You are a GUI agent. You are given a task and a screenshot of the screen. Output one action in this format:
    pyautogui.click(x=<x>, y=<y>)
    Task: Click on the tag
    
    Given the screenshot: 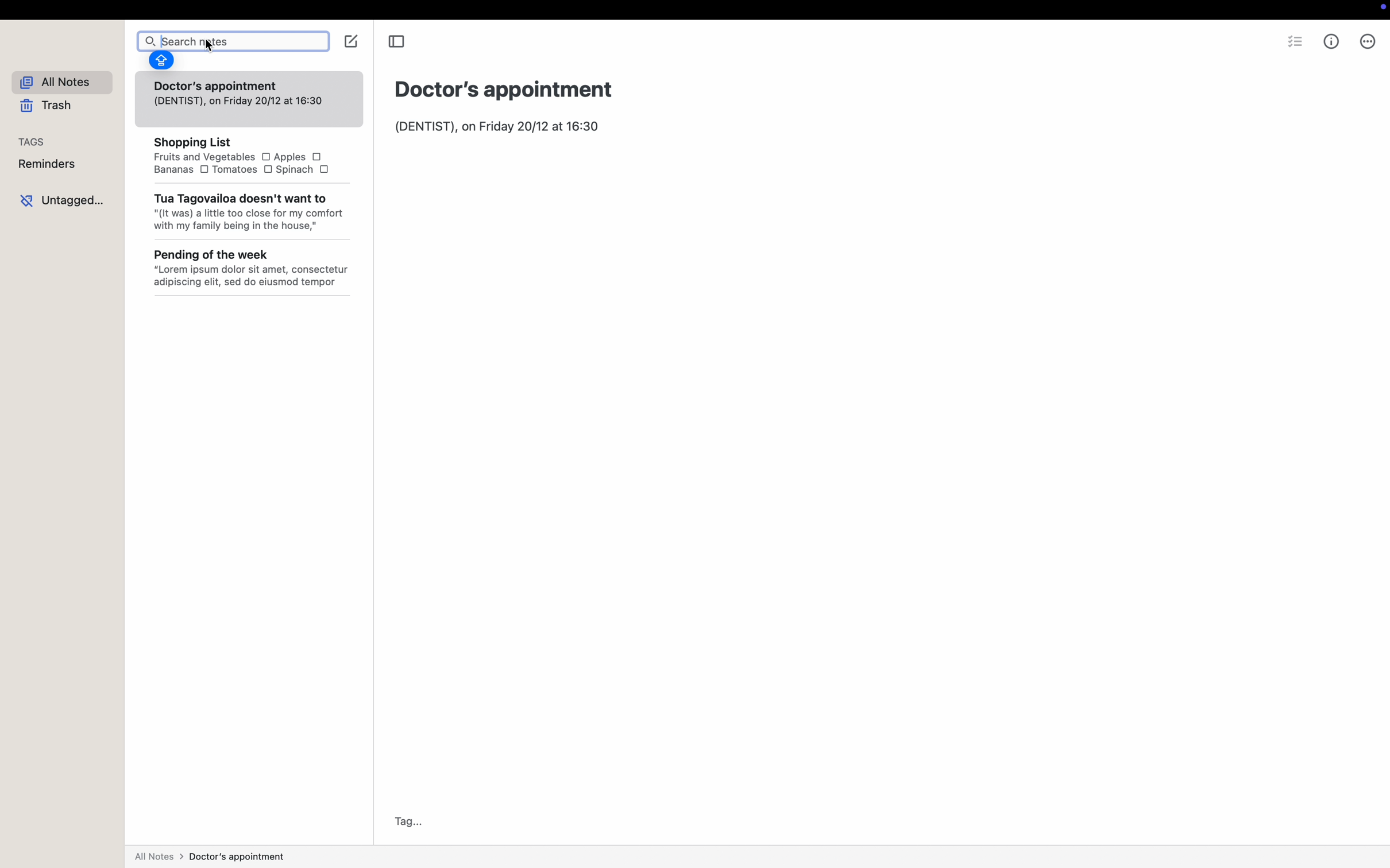 What is the action you would take?
    pyautogui.click(x=405, y=821)
    